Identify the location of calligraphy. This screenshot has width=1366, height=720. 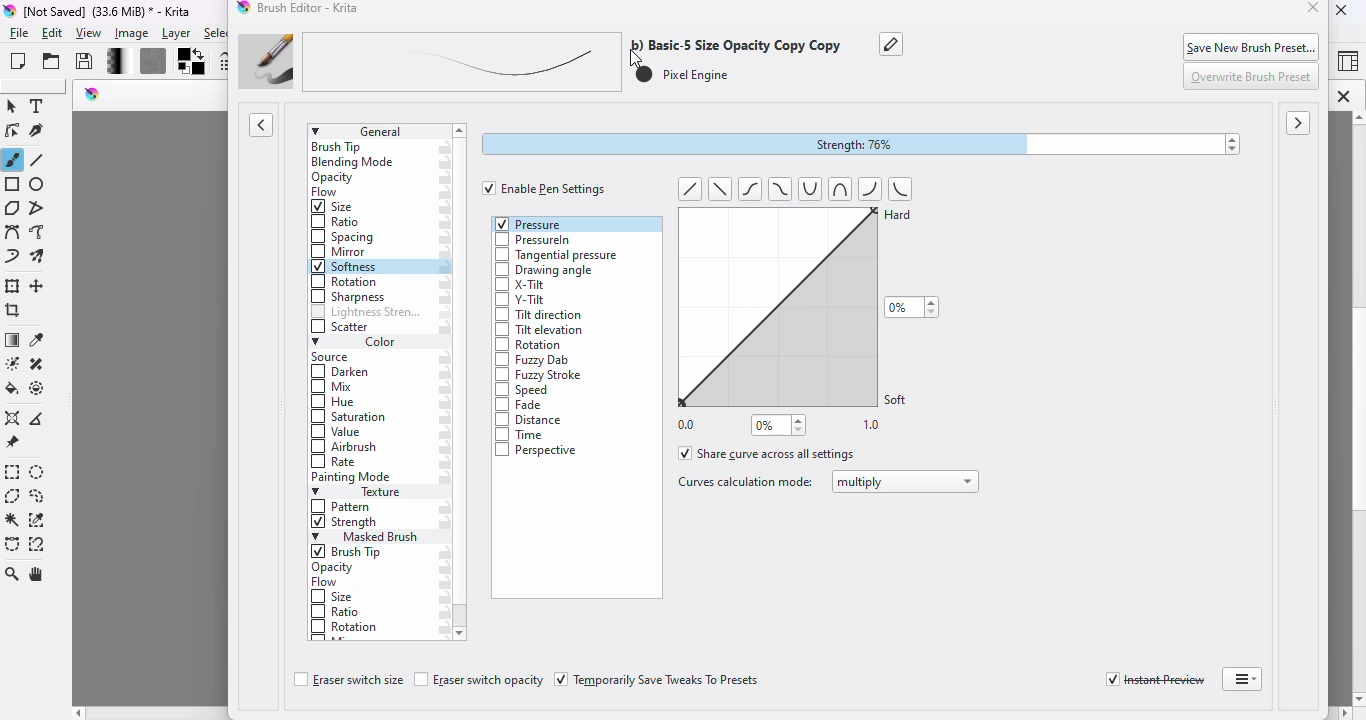
(39, 132).